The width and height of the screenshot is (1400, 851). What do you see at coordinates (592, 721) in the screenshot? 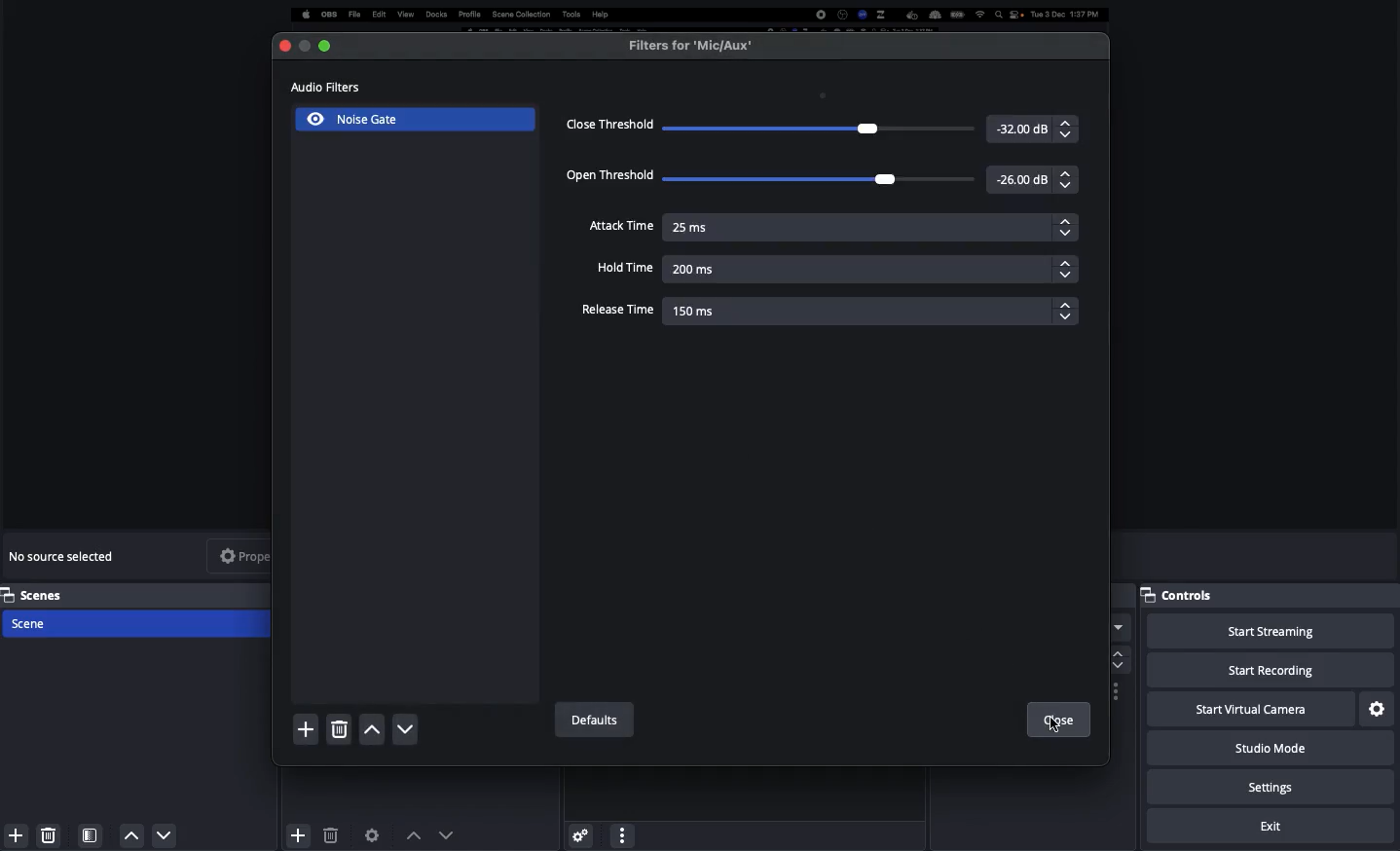
I see `Defaults` at bounding box center [592, 721].